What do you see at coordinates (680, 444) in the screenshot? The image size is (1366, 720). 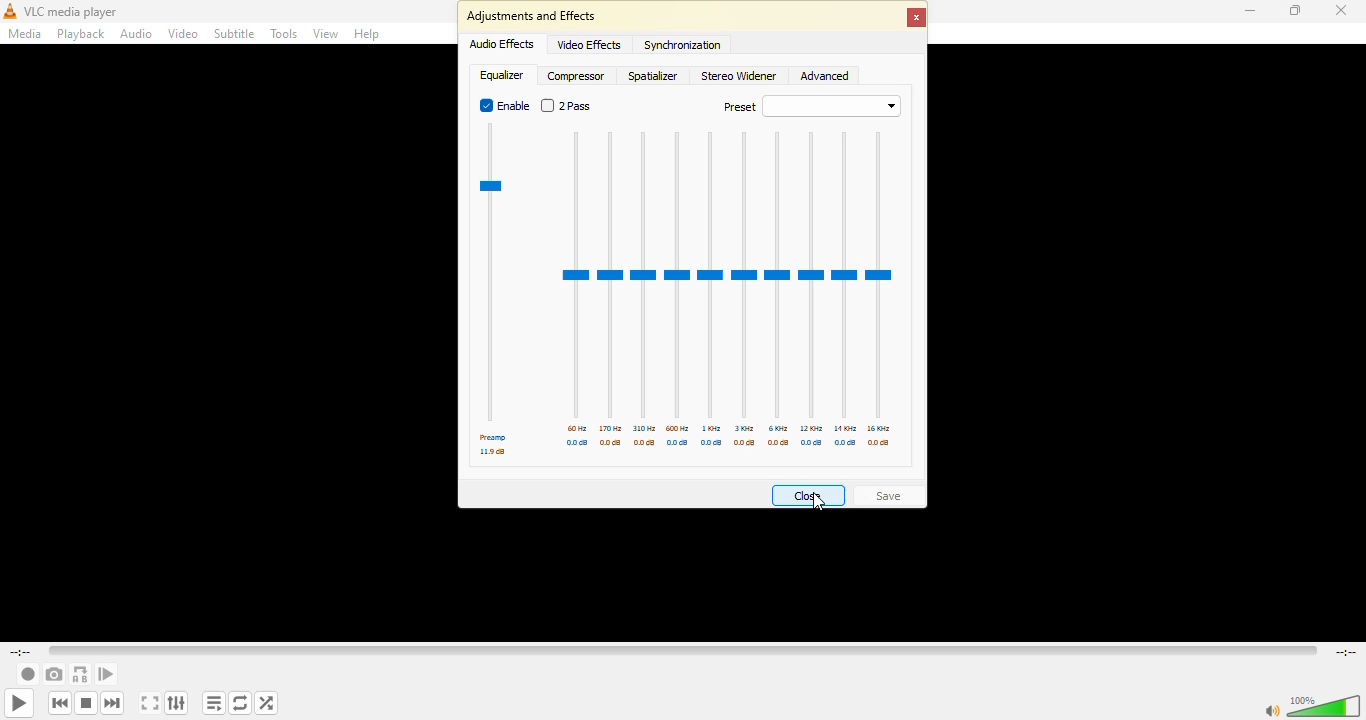 I see `db` at bounding box center [680, 444].